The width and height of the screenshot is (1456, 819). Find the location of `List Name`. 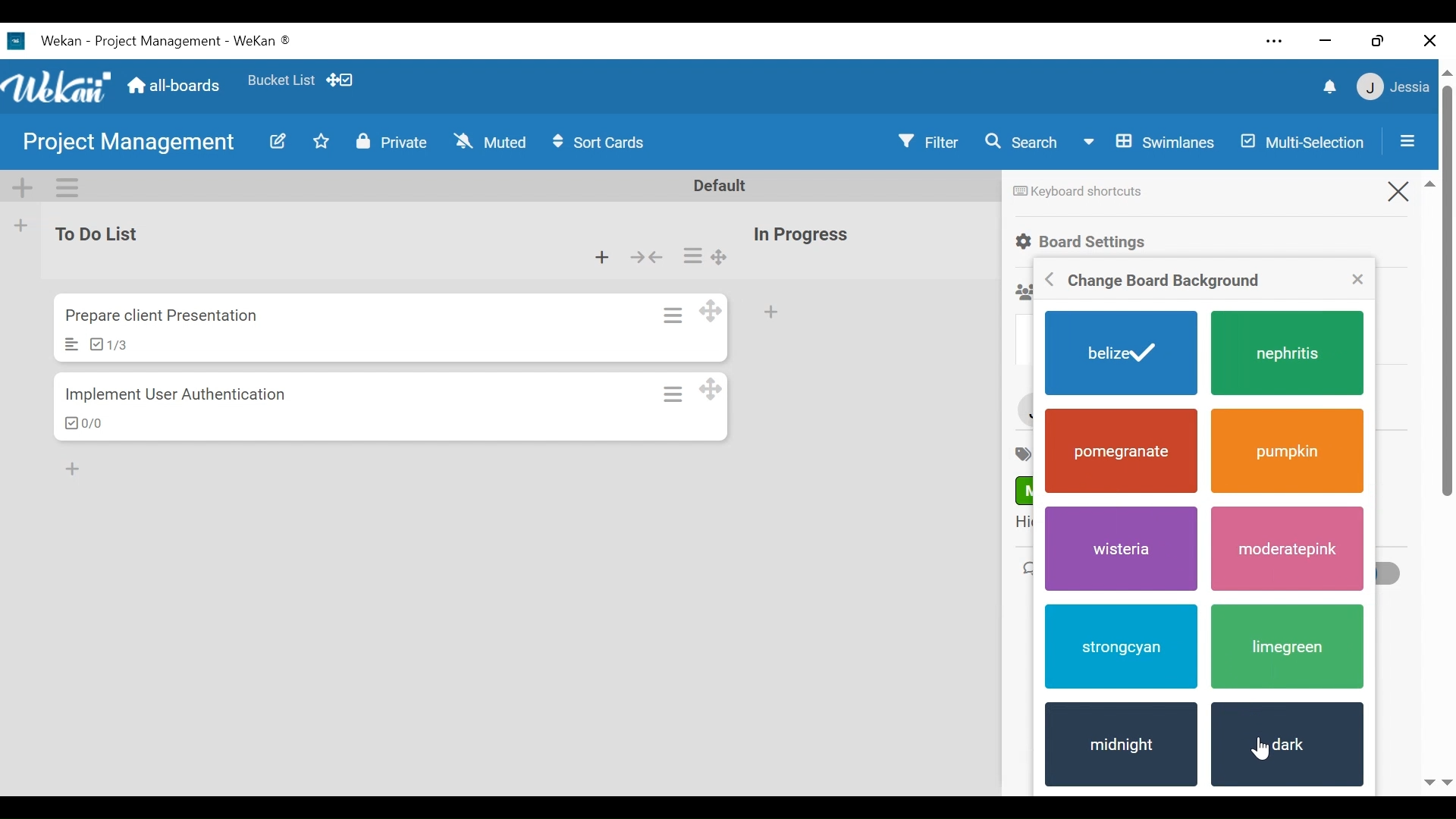

List Name is located at coordinates (800, 235).